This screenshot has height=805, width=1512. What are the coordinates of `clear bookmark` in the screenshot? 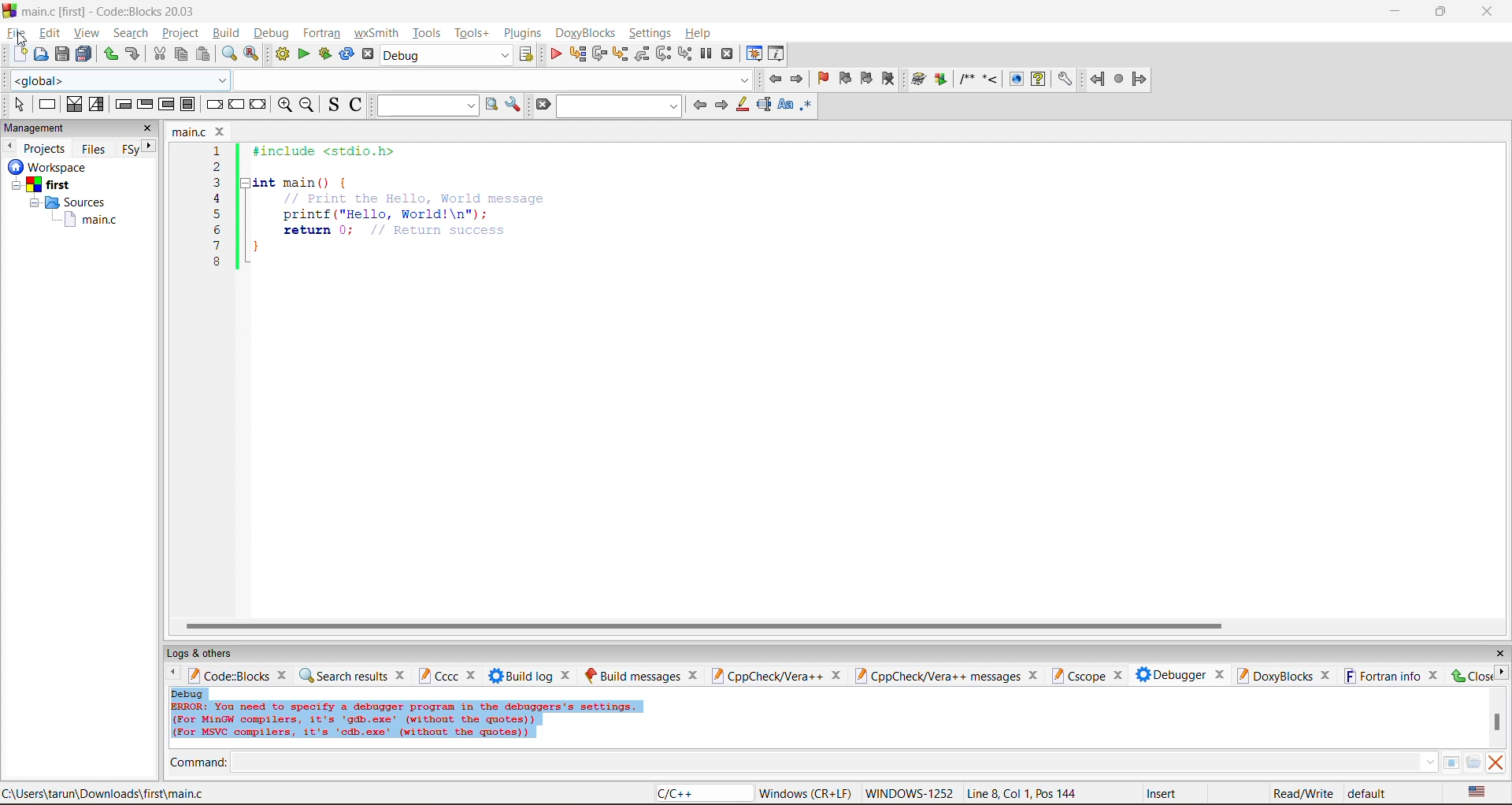 It's located at (888, 78).